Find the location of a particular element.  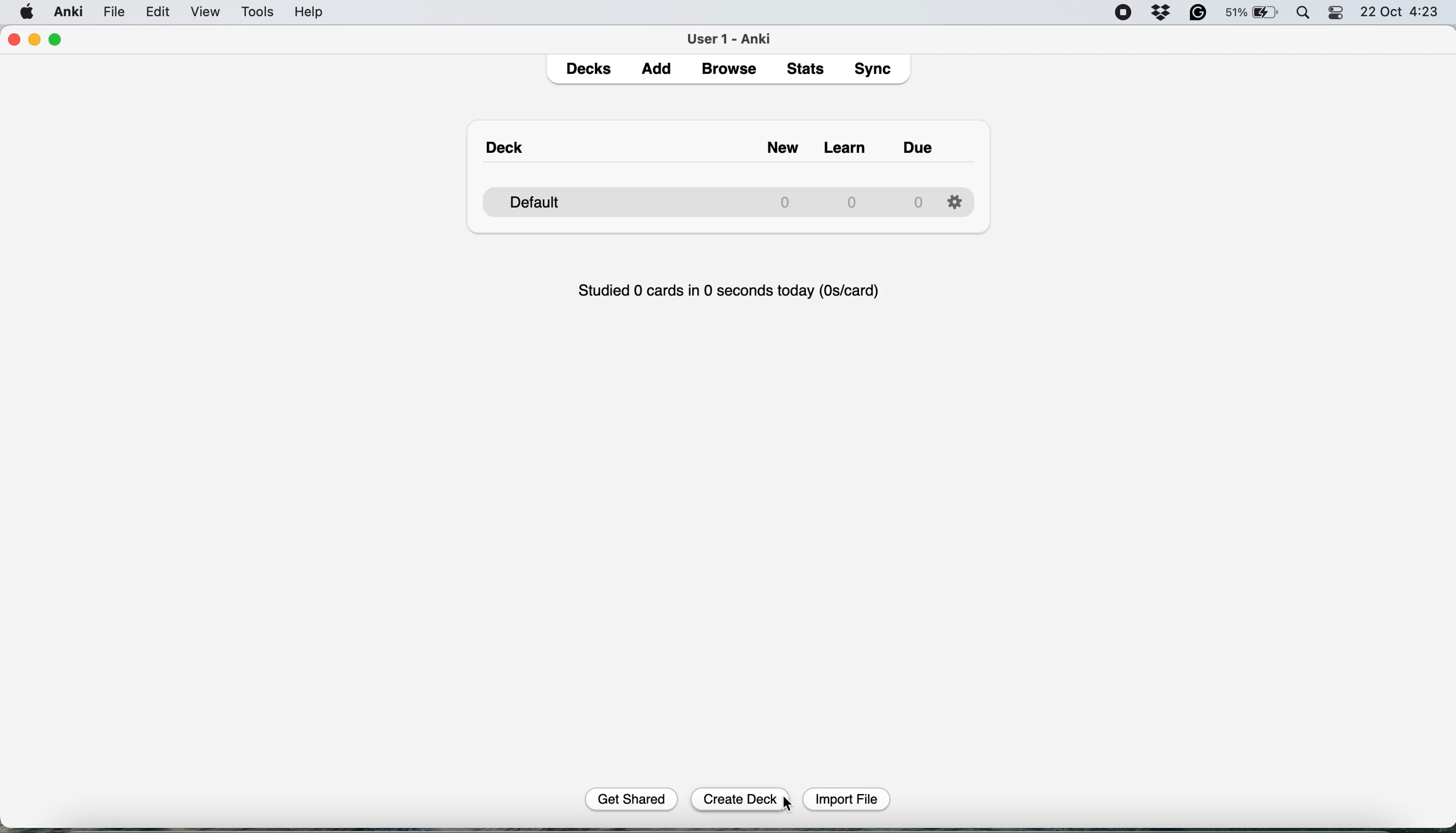

maximise is located at coordinates (60, 37).